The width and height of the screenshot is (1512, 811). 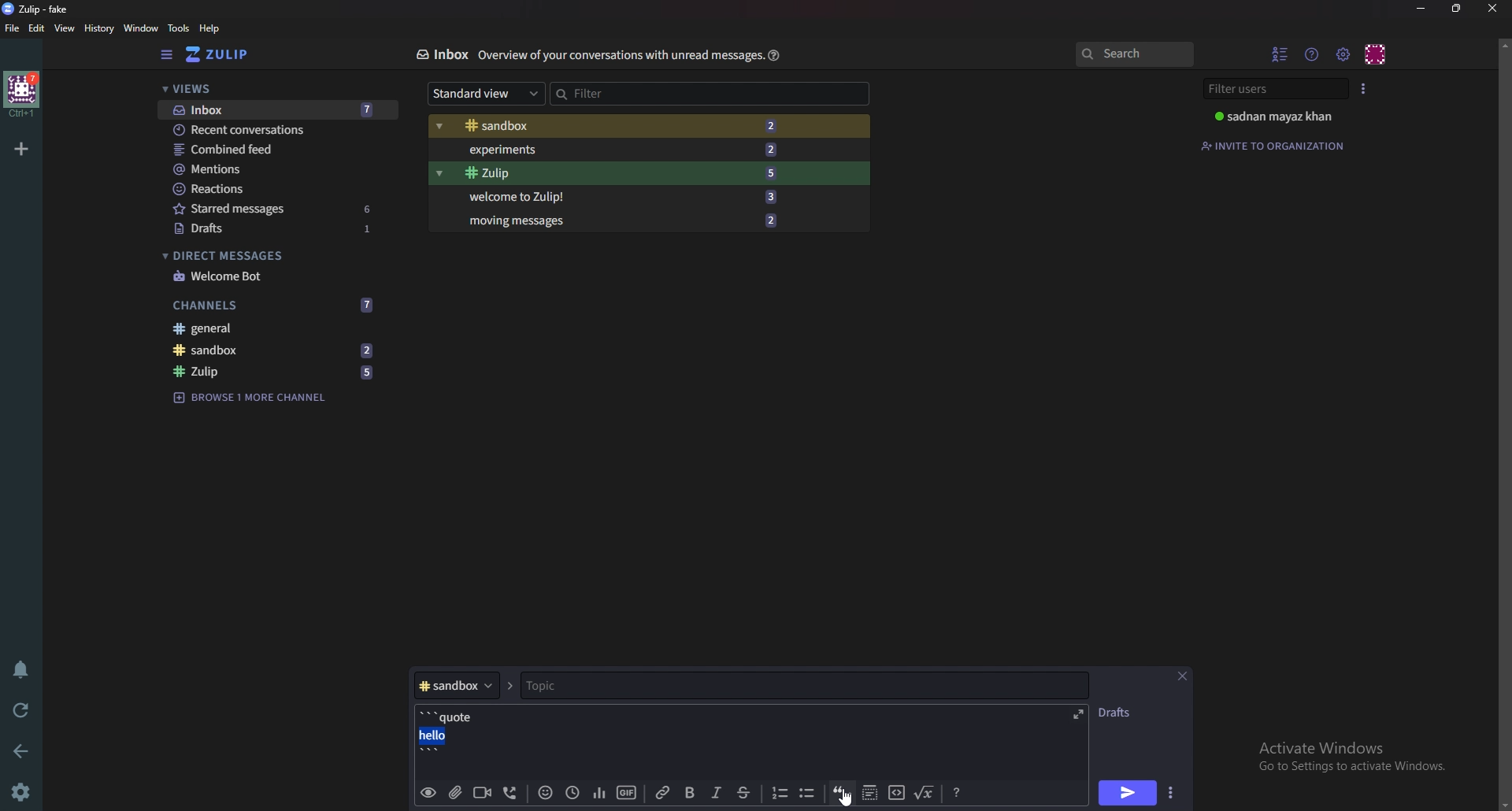 I want to click on Add organization, so click(x=24, y=149).